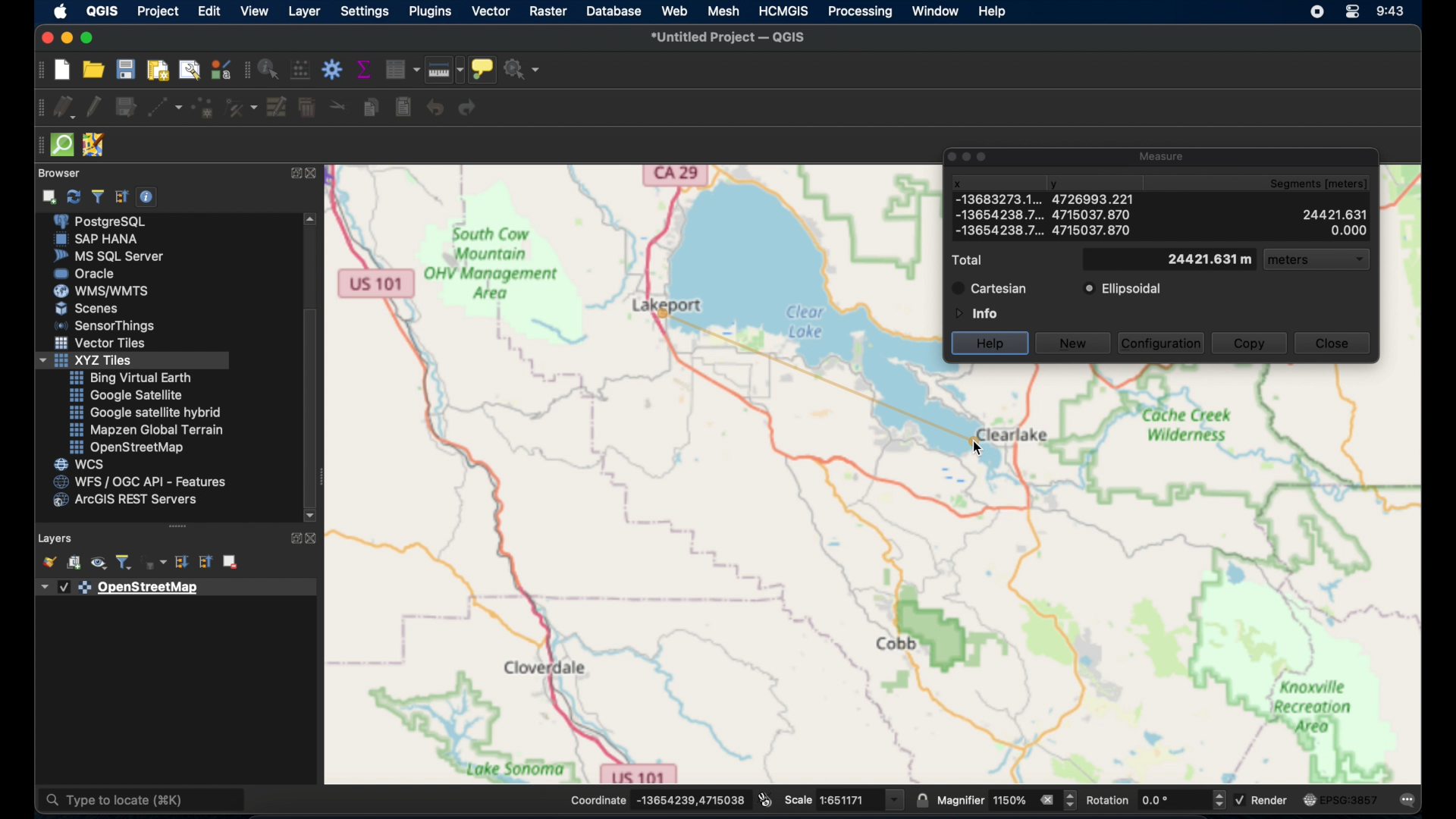 The height and width of the screenshot is (819, 1456). What do you see at coordinates (125, 395) in the screenshot?
I see `google satellite` at bounding box center [125, 395].